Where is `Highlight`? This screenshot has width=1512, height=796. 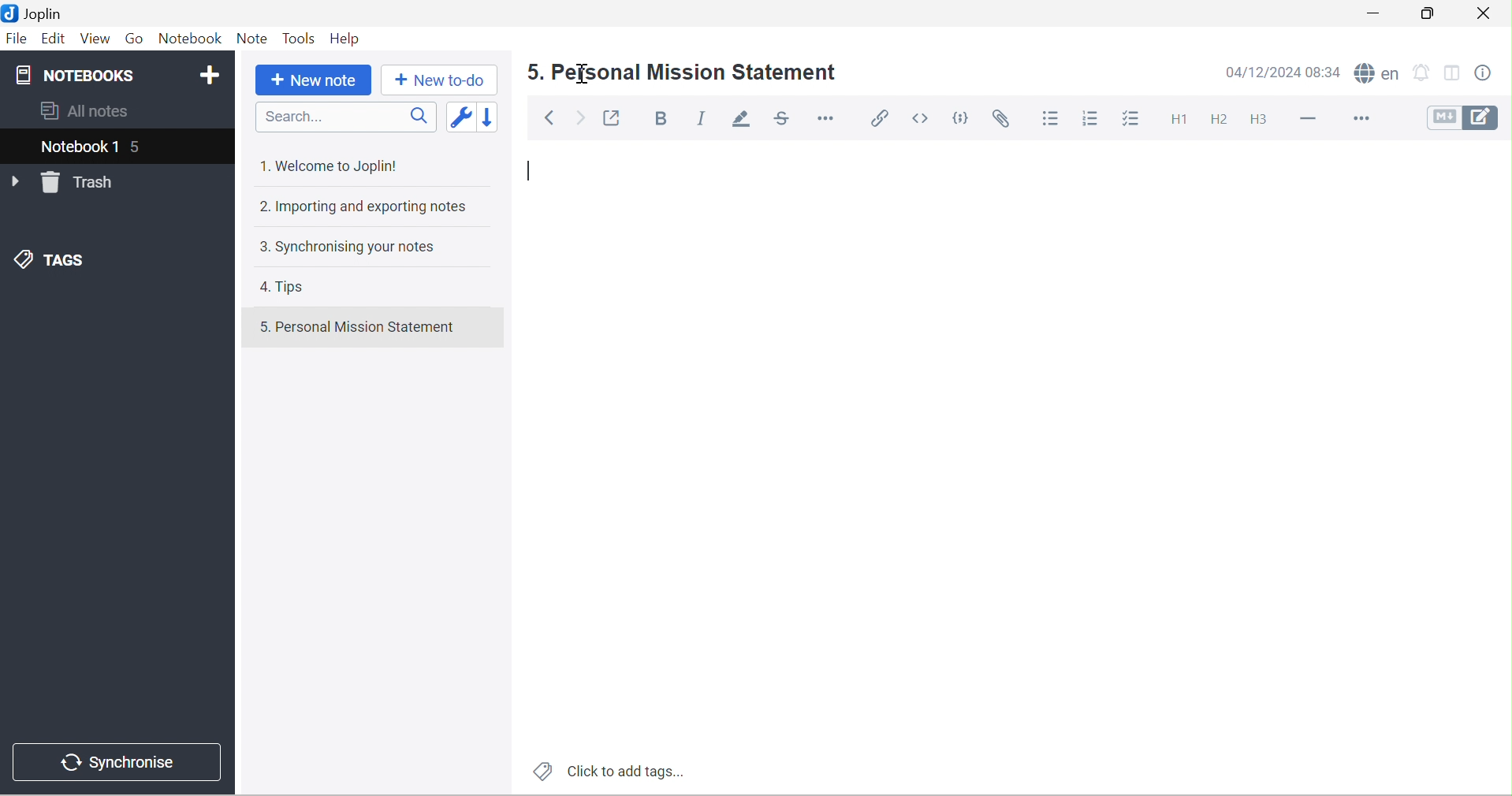 Highlight is located at coordinates (744, 120).